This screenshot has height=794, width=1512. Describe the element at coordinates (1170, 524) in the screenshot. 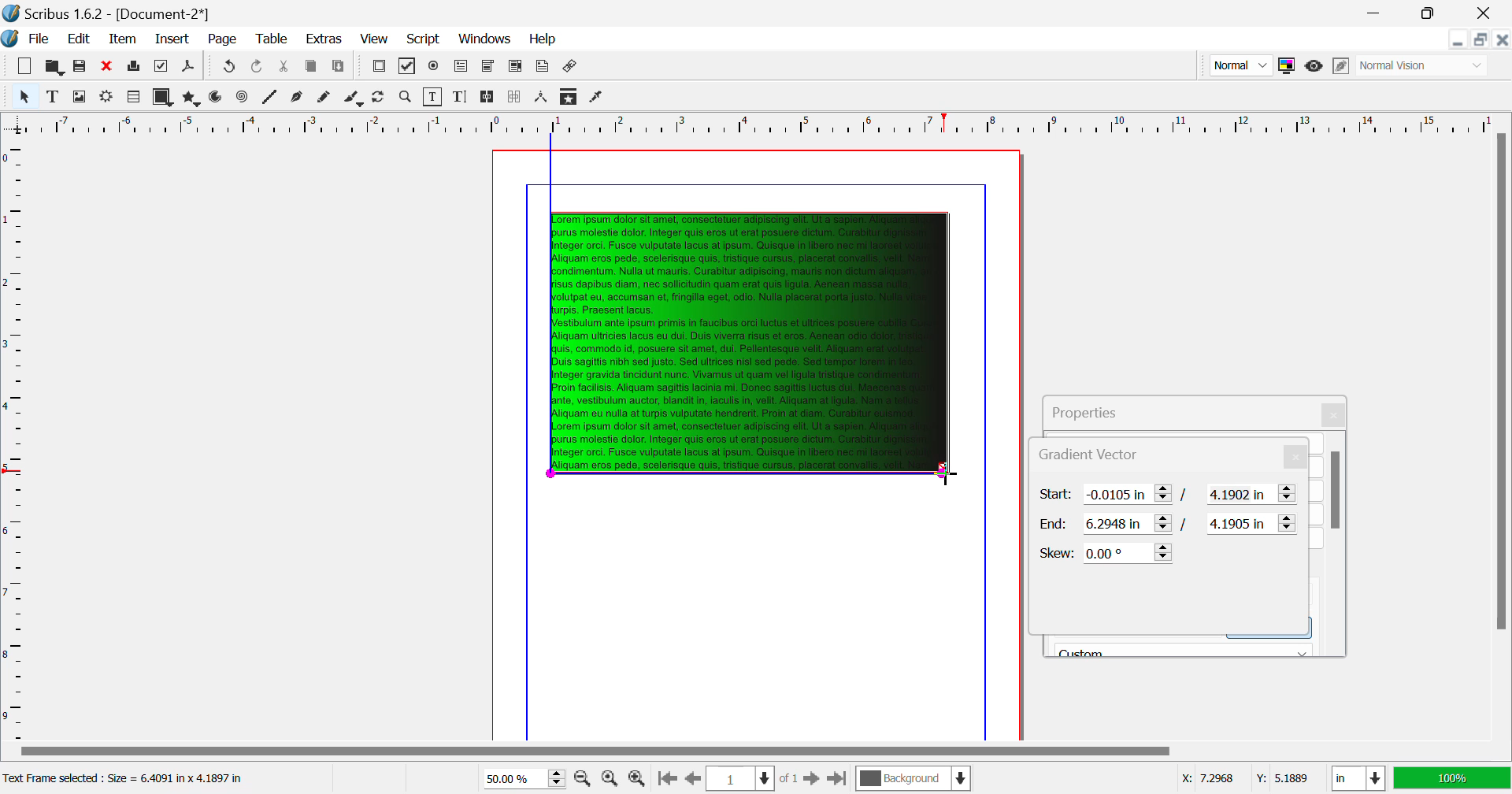

I see `Gradient Vector End` at that location.